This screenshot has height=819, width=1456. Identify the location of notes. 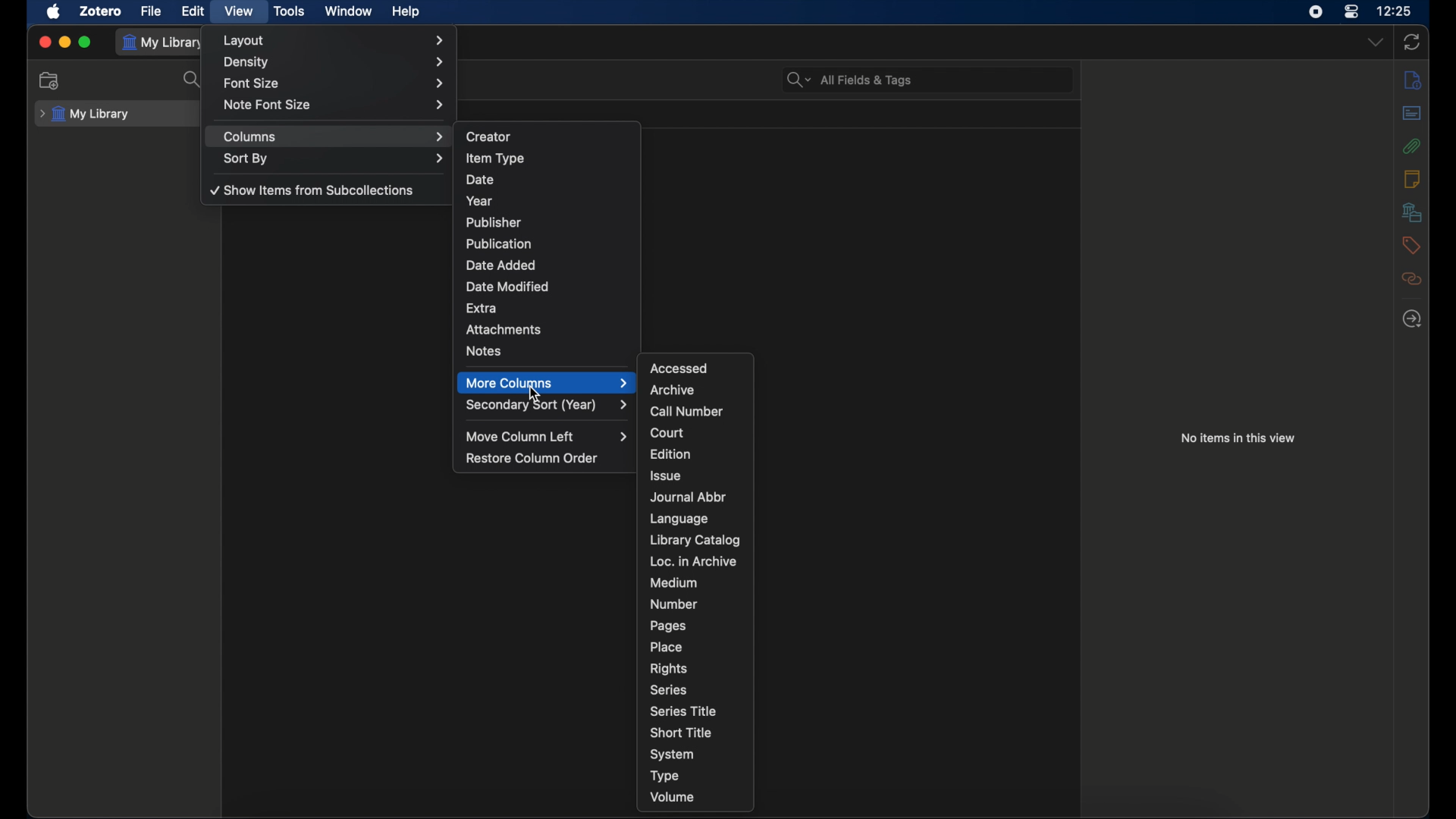
(1414, 179).